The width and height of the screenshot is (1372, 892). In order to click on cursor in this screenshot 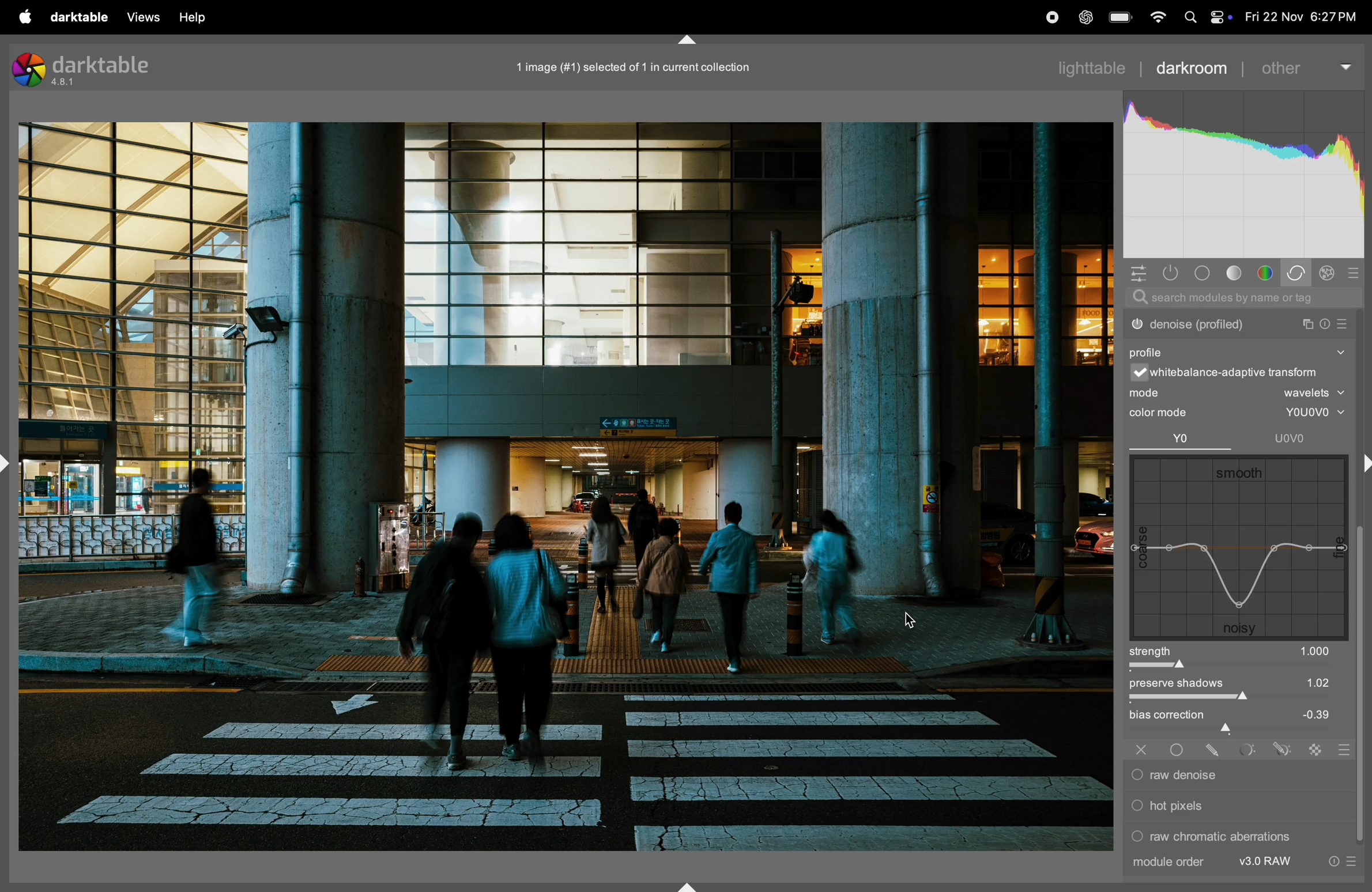, I will do `click(913, 621)`.